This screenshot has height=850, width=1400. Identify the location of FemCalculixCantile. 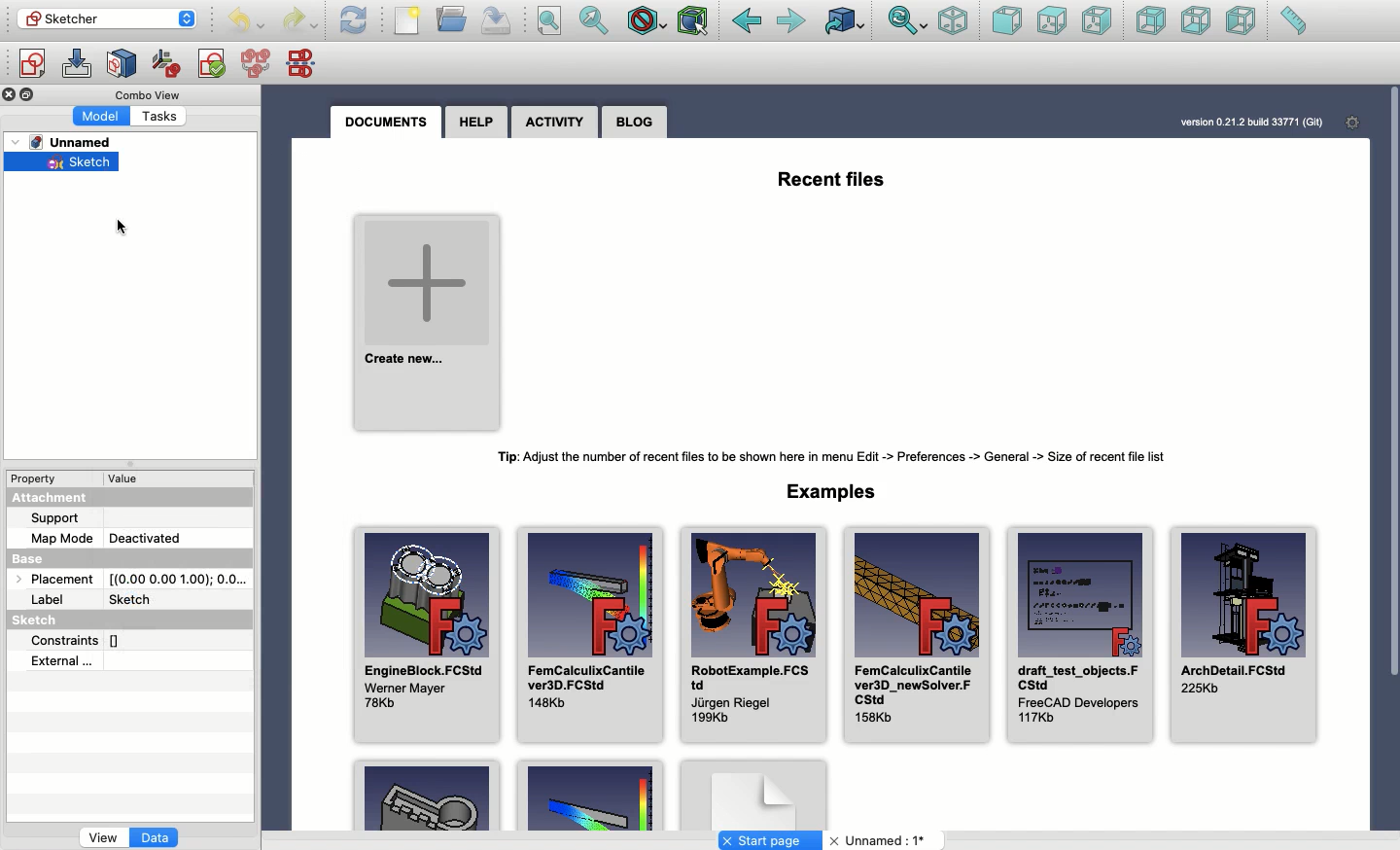
(589, 632).